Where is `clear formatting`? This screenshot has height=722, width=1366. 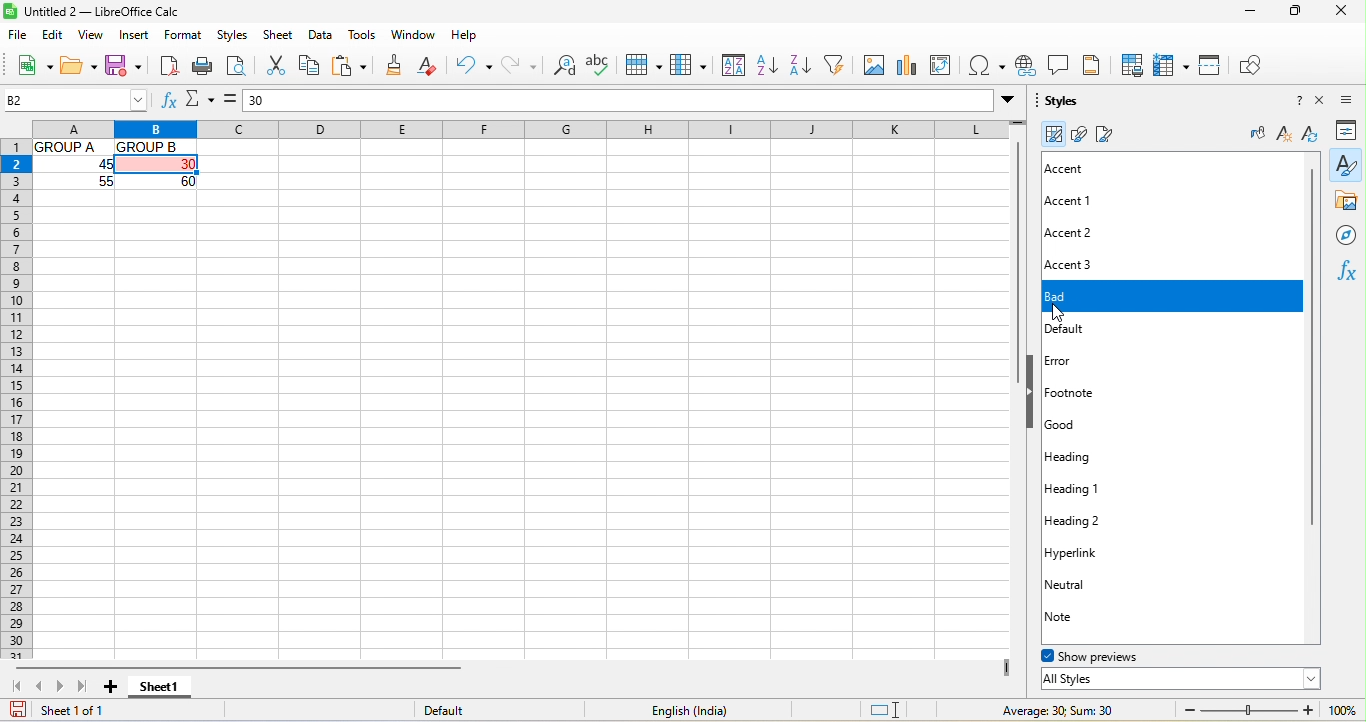
clear formatting is located at coordinates (436, 65).